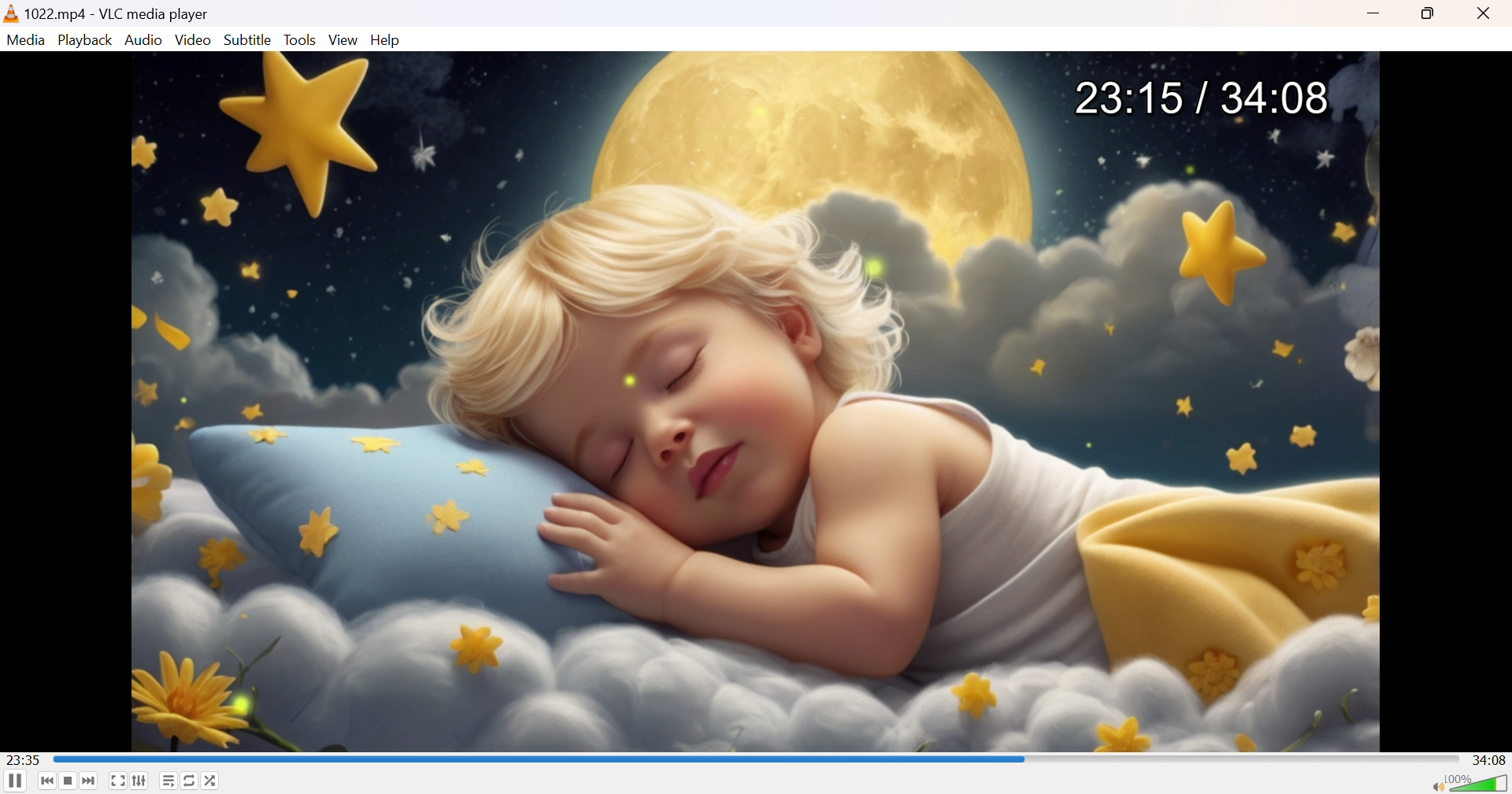 Image resolution: width=1512 pixels, height=794 pixels. What do you see at coordinates (754, 453) in the screenshot?
I see `video` at bounding box center [754, 453].